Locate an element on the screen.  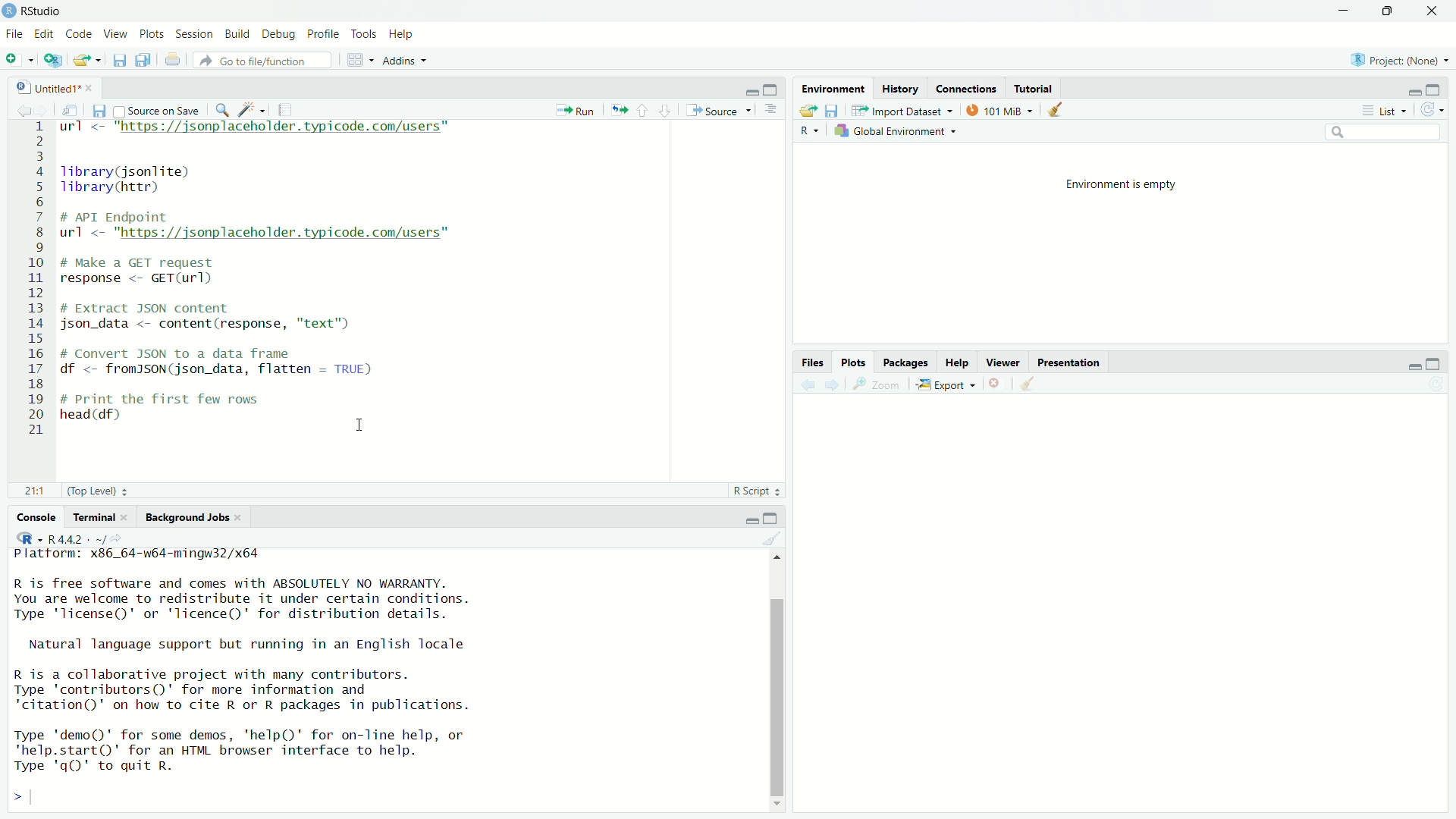
Refresh is located at coordinates (1432, 108).